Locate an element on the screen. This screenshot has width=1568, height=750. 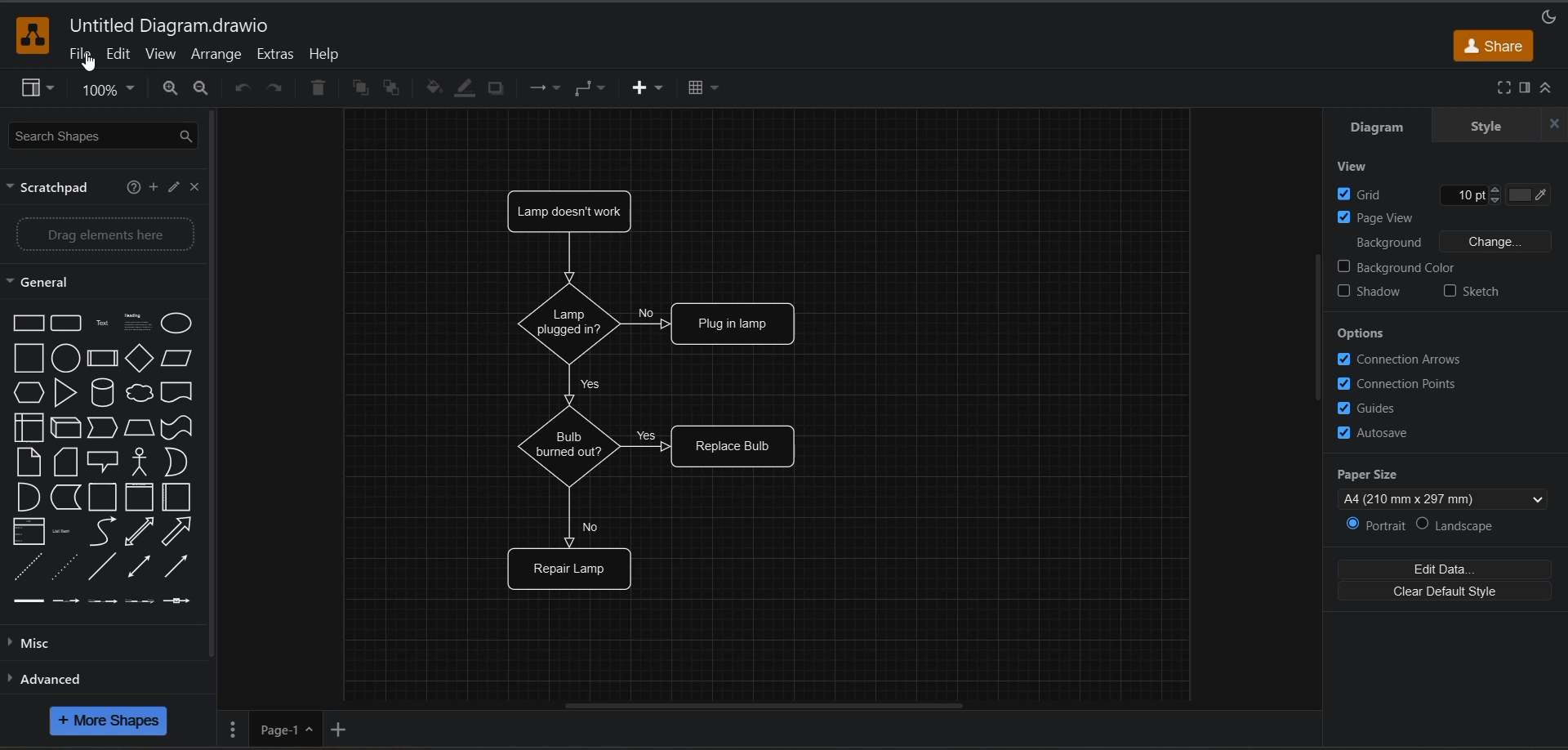
to back is located at coordinates (390, 87).